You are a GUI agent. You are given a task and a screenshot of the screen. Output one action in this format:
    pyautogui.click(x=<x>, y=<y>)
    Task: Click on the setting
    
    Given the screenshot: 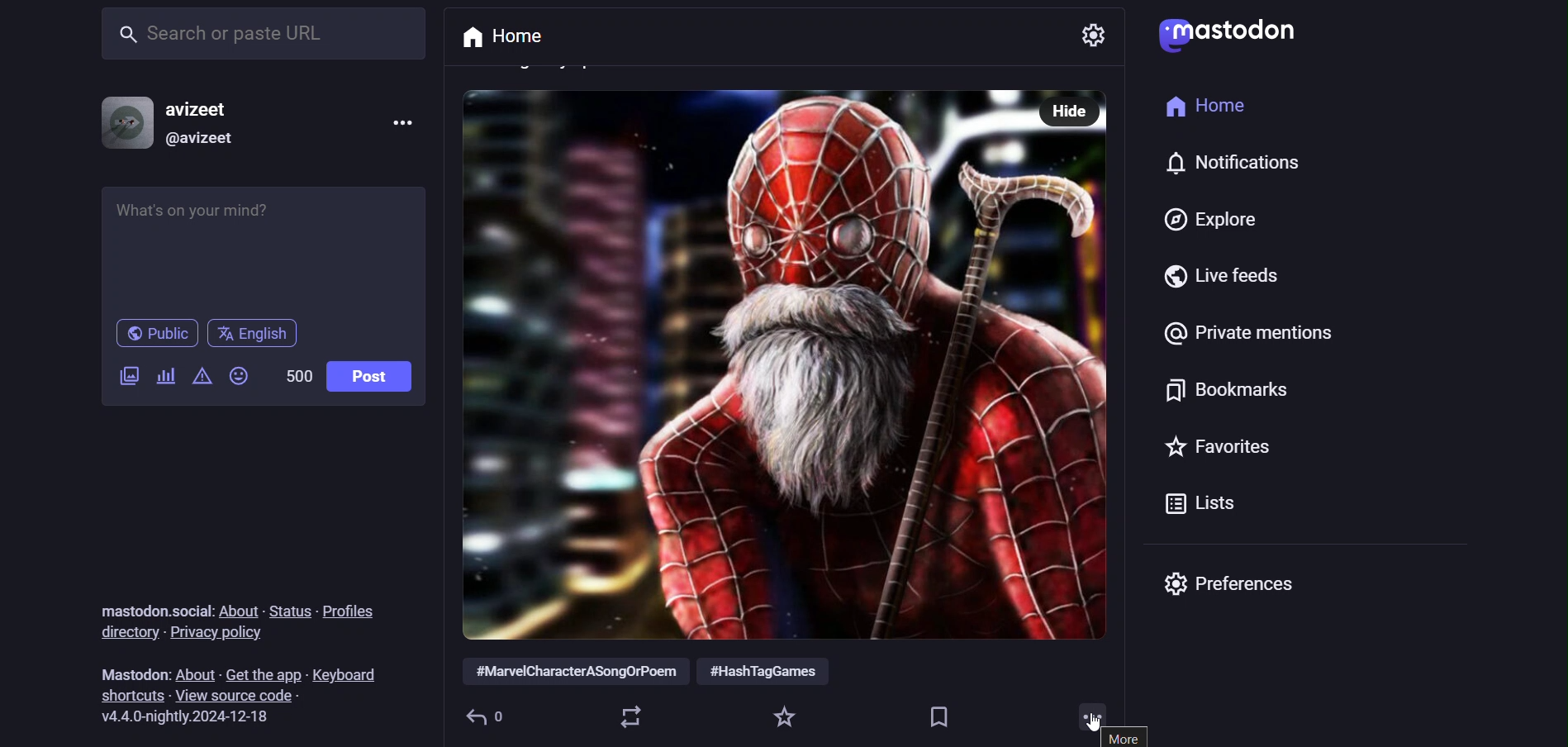 What is the action you would take?
    pyautogui.click(x=1096, y=36)
    